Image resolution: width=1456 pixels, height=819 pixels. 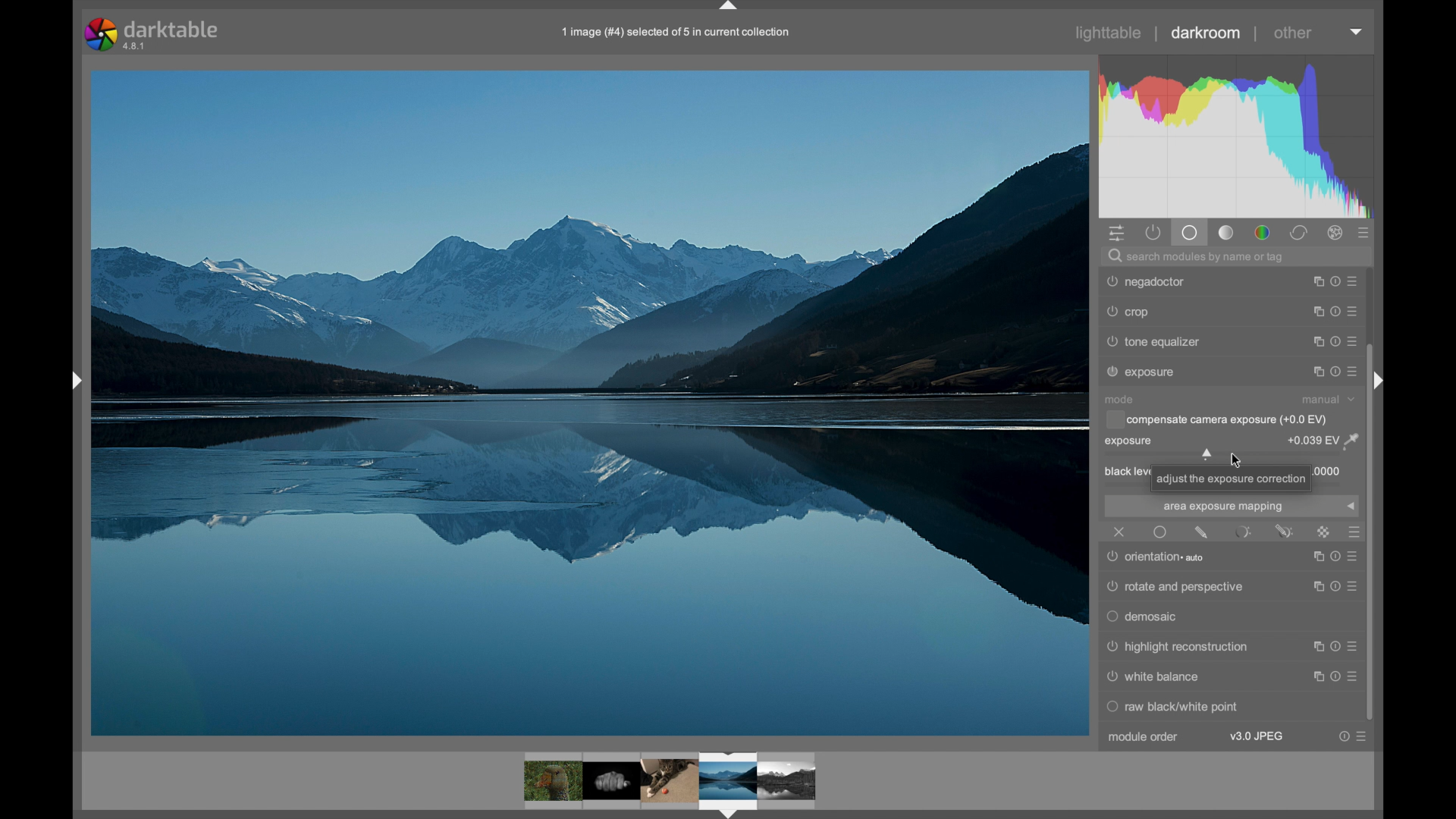 I want to click on raster mask, so click(x=1324, y=532).